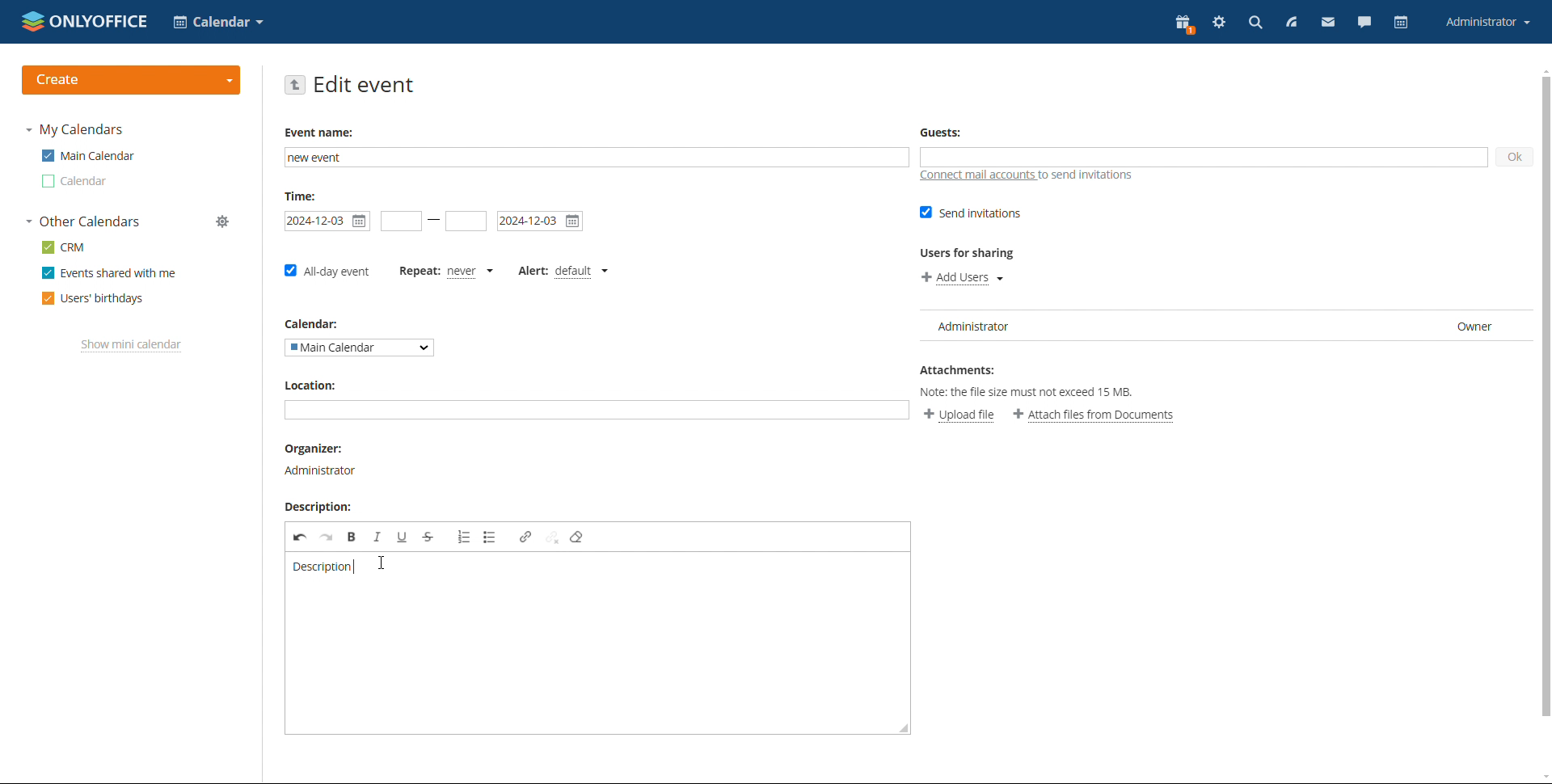 The height and width of the screenshot is (784, 1552). What do you see at coordinates (464, 537) in the screenshot?
I see `insert/remove numbered list` at bounding box center [464, 537].